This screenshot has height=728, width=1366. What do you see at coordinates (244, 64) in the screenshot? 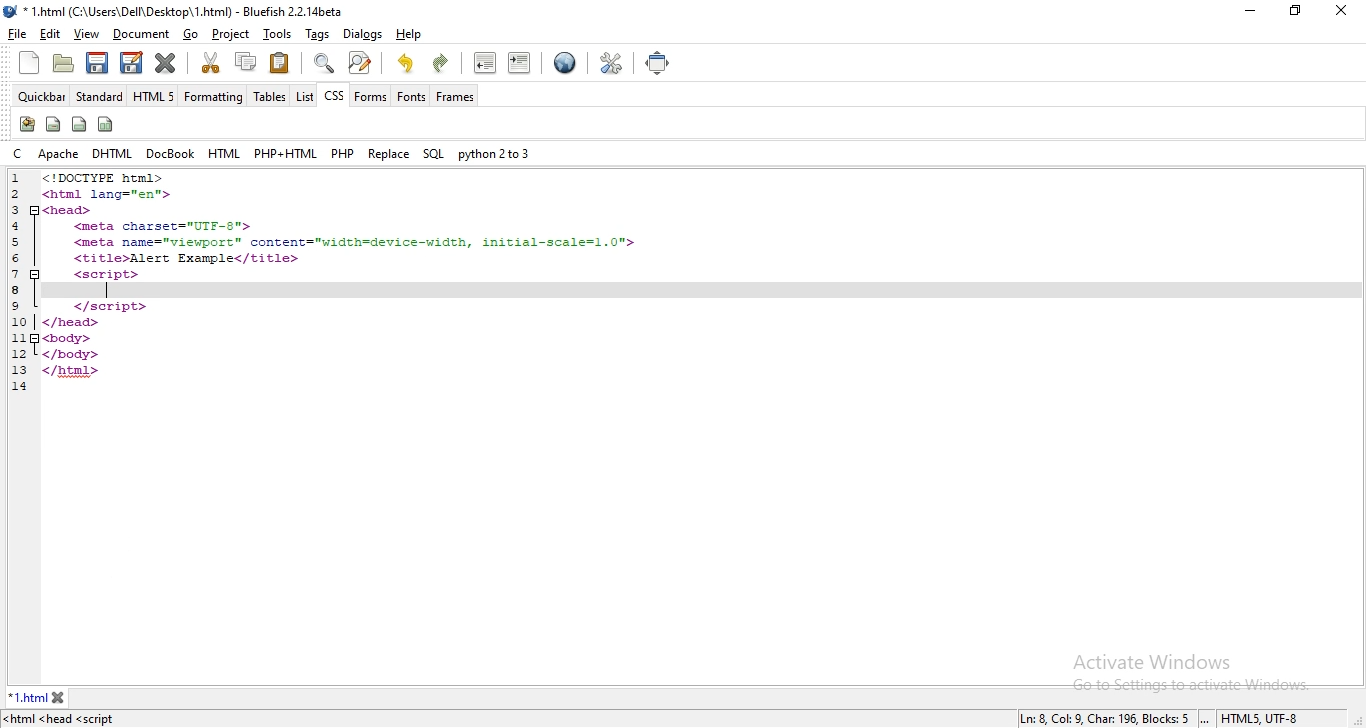
I see `copy` at bounding box center [244, 64].